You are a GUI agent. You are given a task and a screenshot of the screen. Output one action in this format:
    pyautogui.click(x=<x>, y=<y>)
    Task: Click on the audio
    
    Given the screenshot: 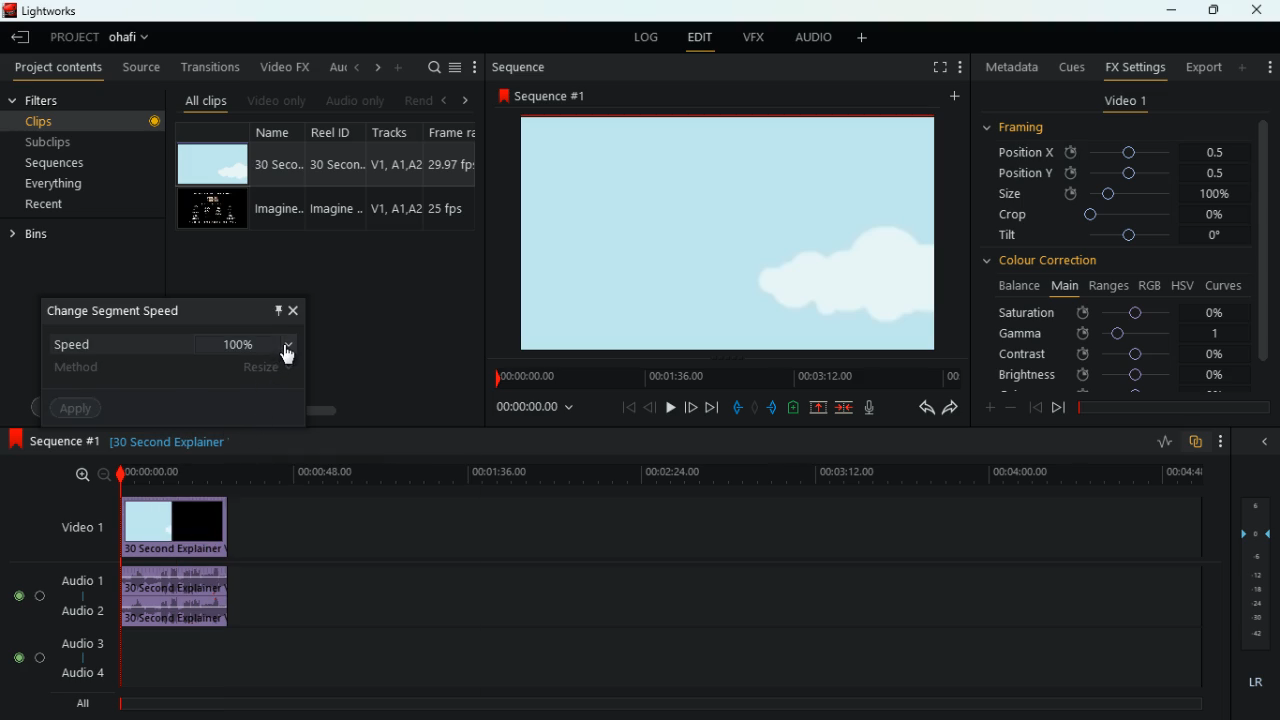 What is the action you would take?
    pyautogui.click(x=176, y=596)
    